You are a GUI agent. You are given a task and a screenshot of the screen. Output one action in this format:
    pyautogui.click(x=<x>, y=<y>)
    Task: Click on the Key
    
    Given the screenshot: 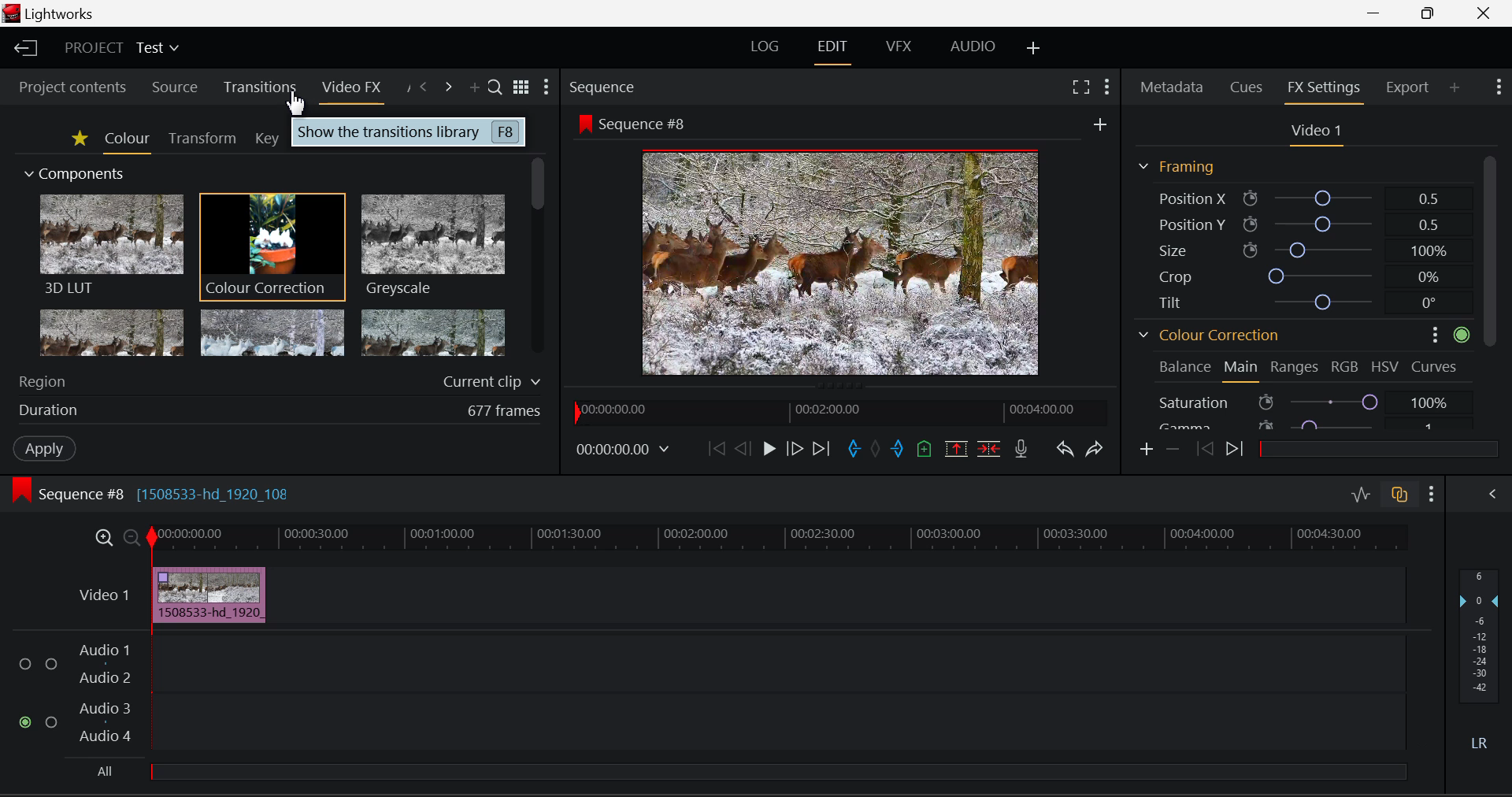 What is the action you would take?
    pyautogui.click(x=268, y=139)
    